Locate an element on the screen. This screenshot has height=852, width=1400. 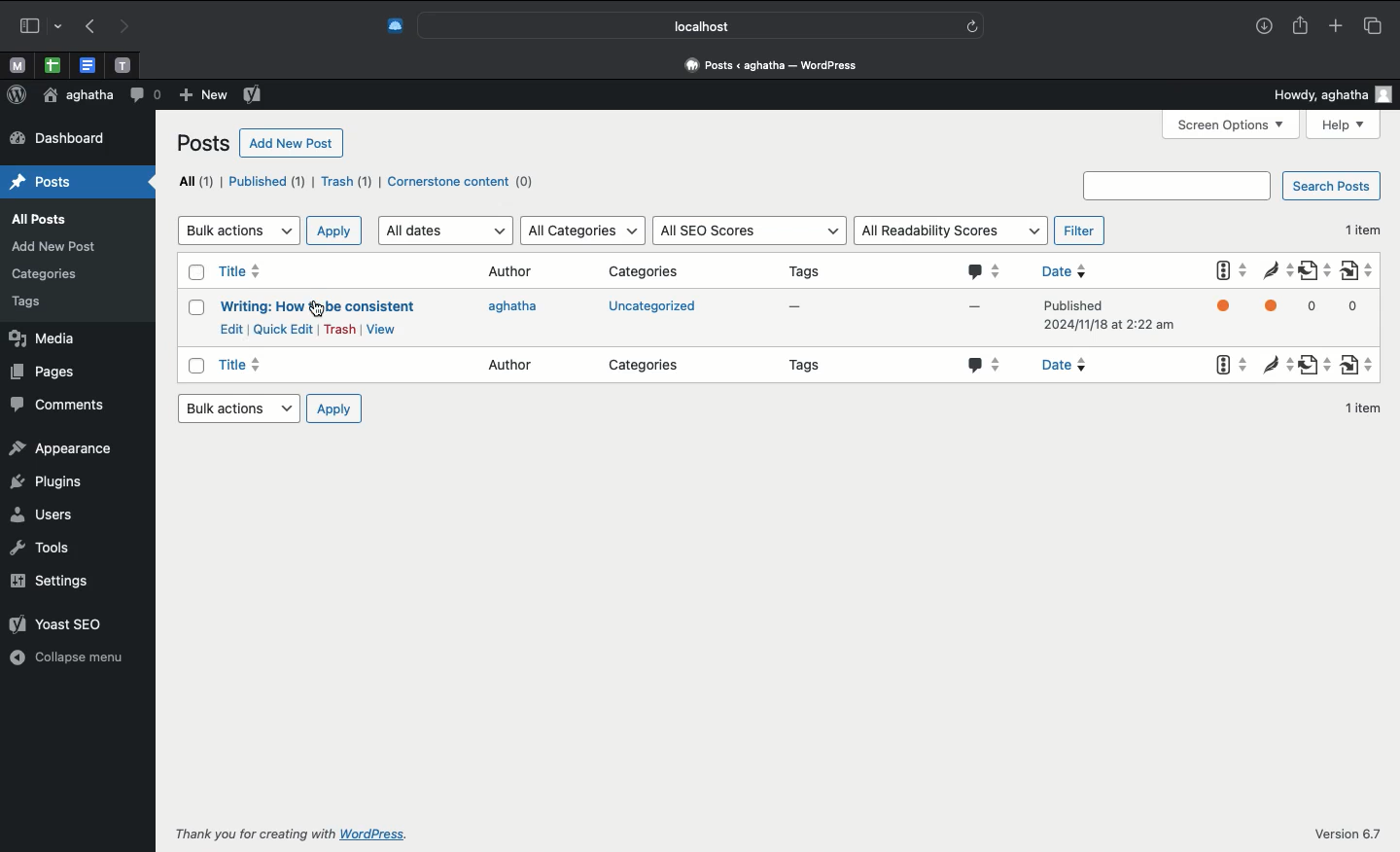
Outgoing links is located at coordinates (1315, 274).